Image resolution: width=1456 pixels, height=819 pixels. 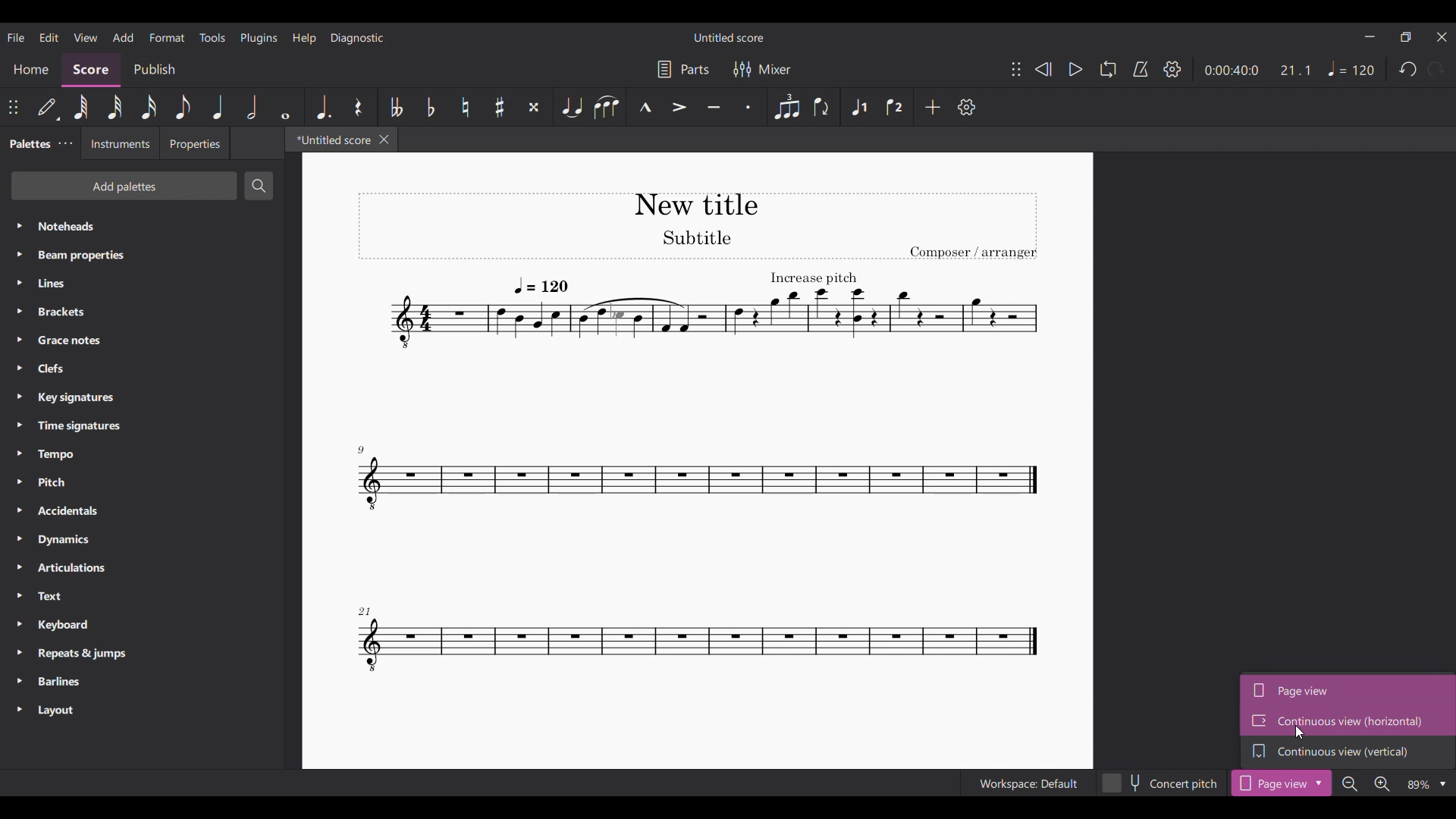 What do you see at coordinates (142, 455) in the screenshot?
I see `Tempo` at bounding box center [142, 455].